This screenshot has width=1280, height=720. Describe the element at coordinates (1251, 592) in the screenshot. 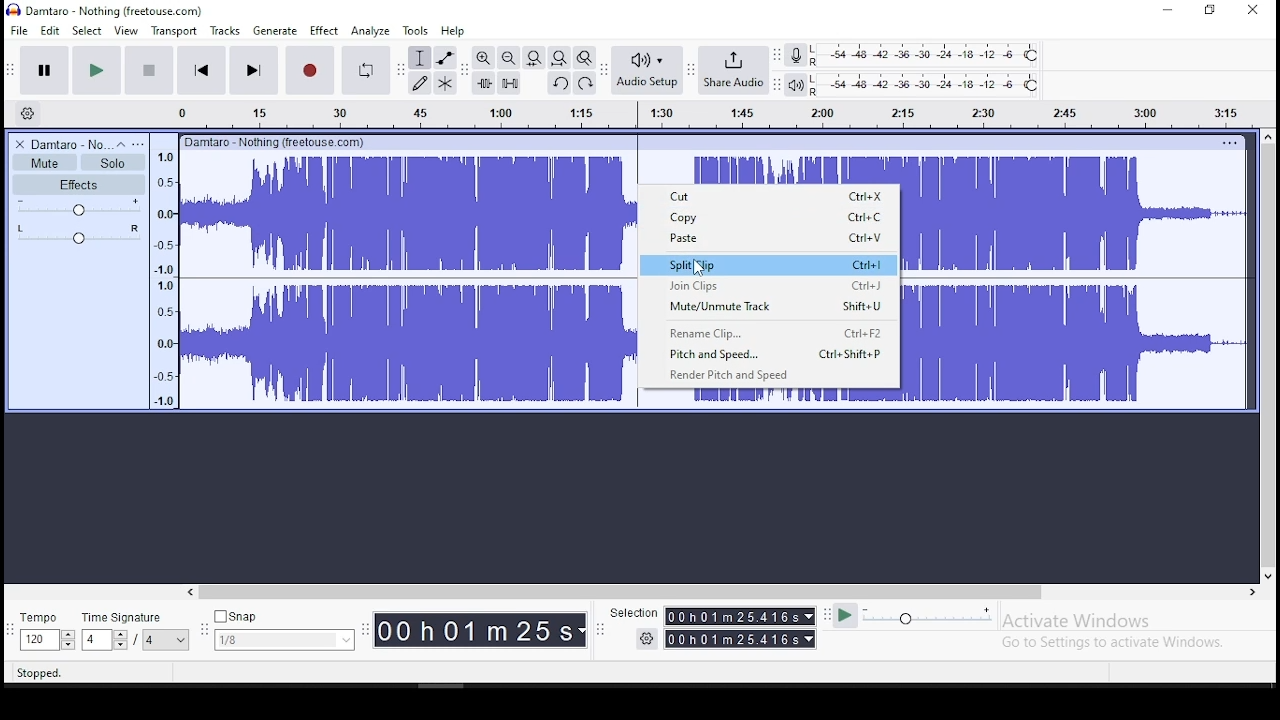

I see `scroll right` at that location.